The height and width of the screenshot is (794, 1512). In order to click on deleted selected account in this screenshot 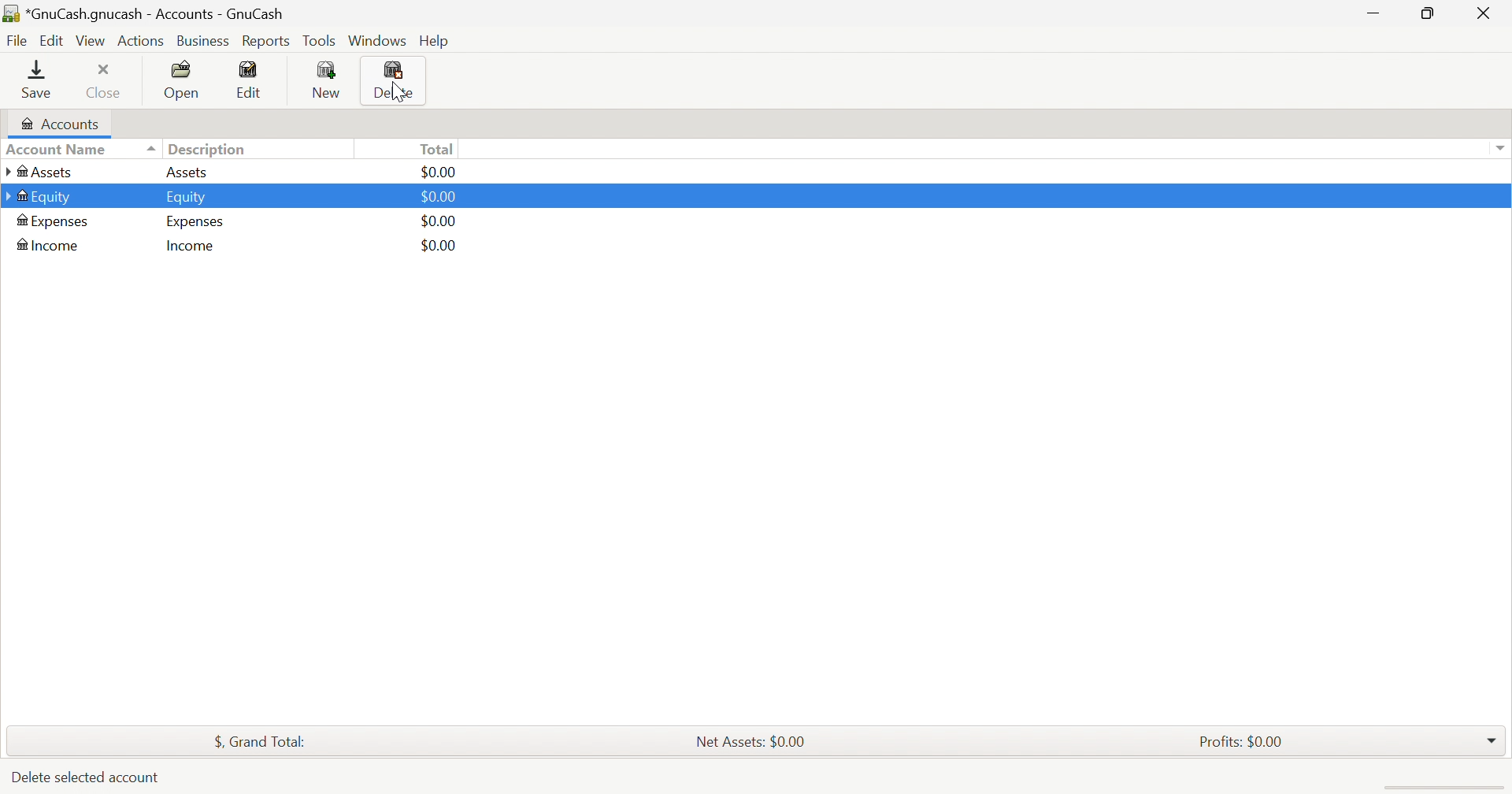, I will do `click(84, 778)`.